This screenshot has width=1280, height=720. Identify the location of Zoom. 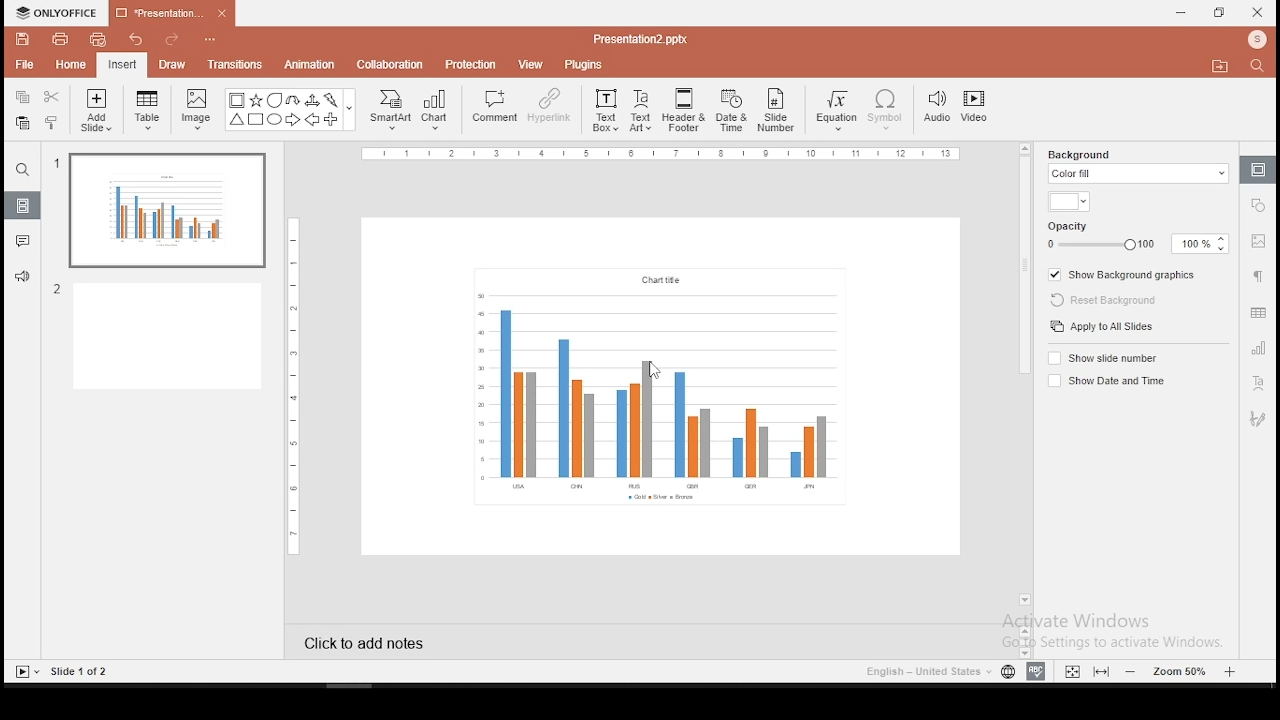
(1182, 672).